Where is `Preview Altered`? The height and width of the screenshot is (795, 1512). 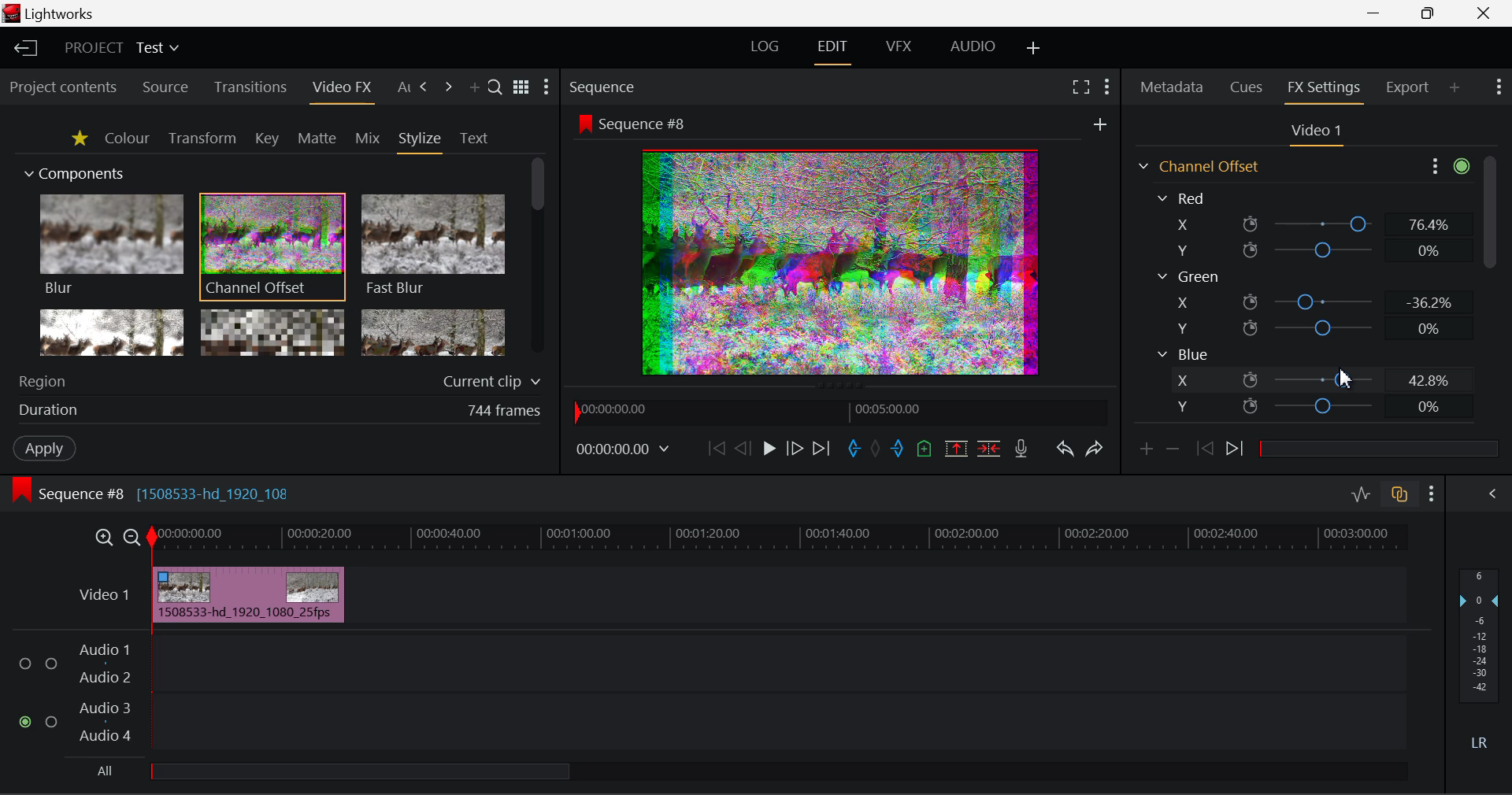
Preview Altered is located at coordinates (841, 260).